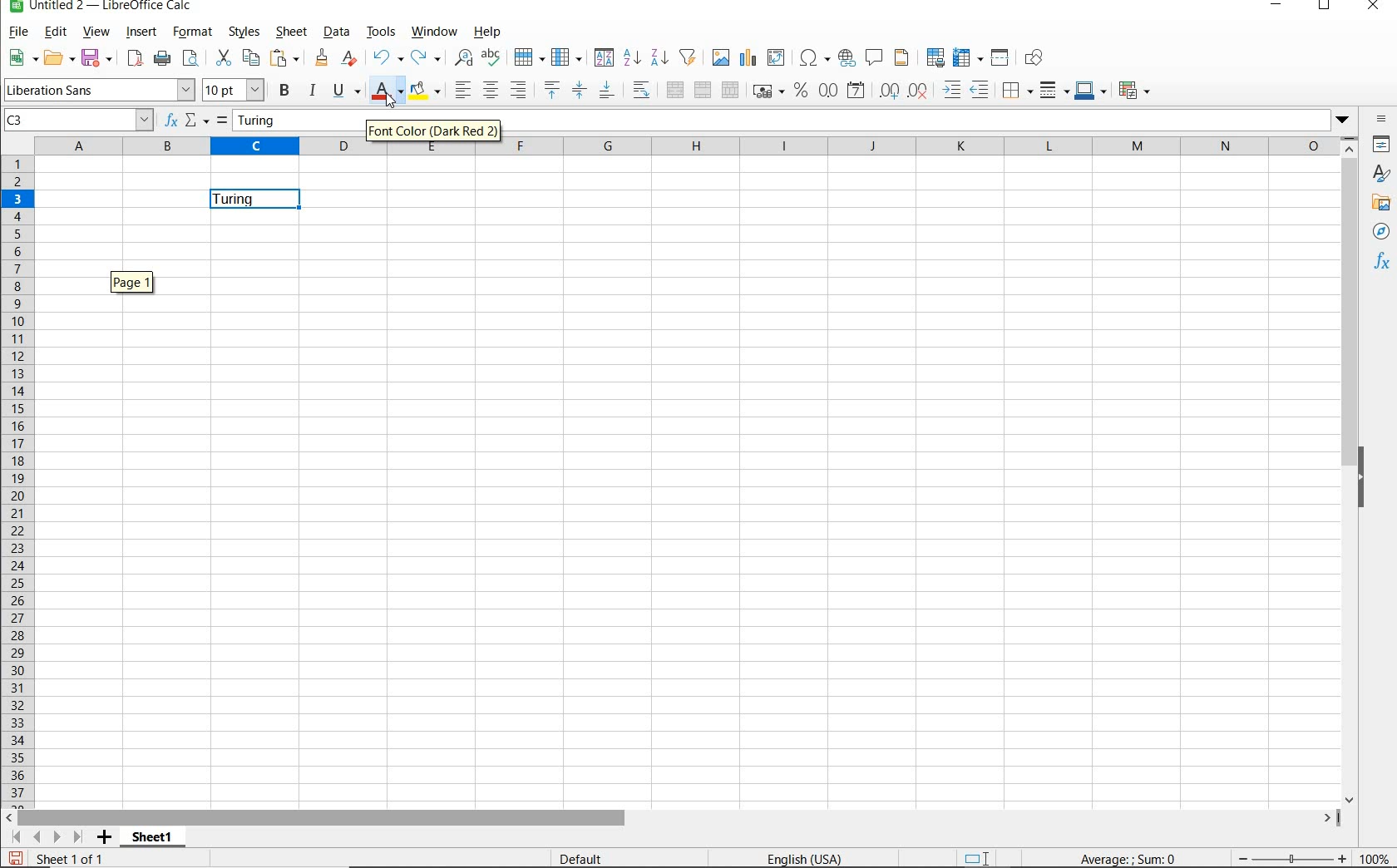 Image resolution: width=1397 pixels, height=868 pixels. I want to click on SPELLING, so click(492, 57).